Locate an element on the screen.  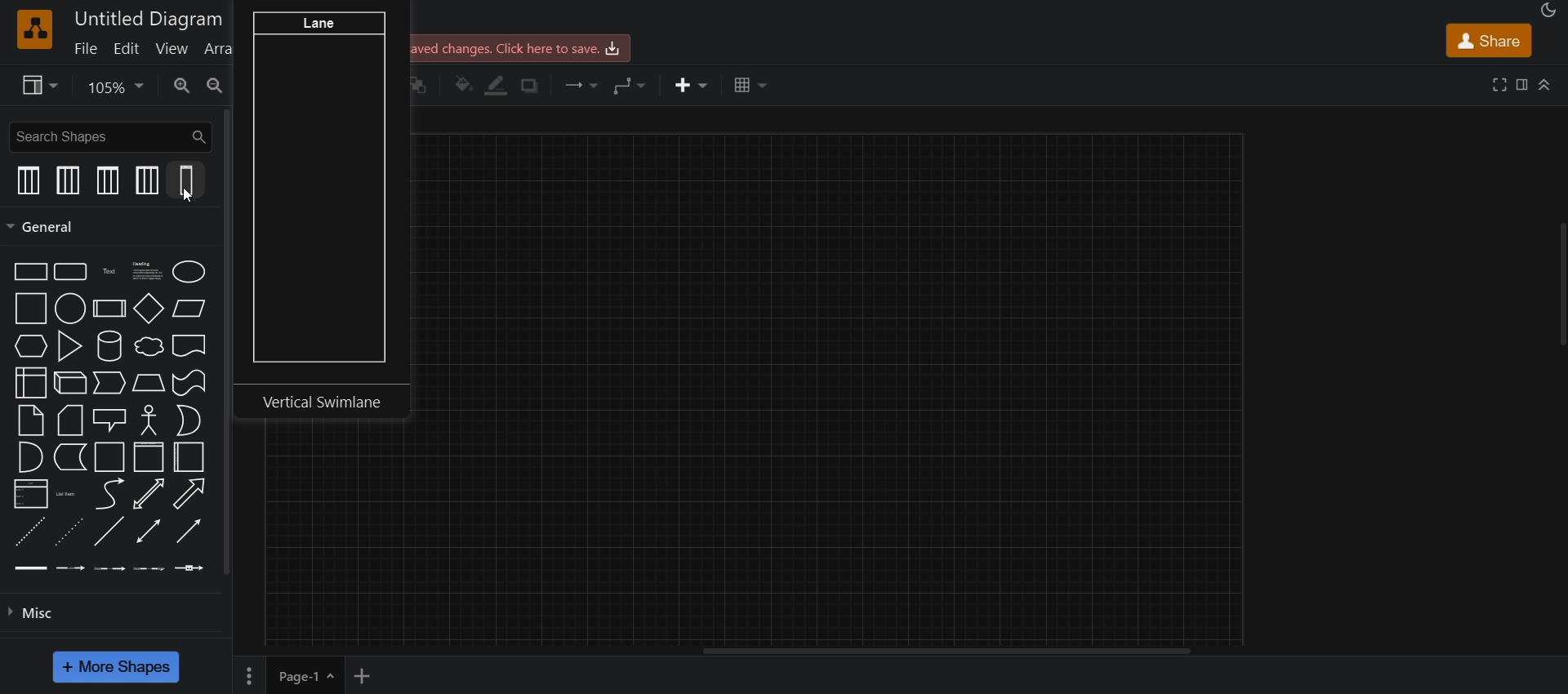
diamond is located at coordinates (149, 309).